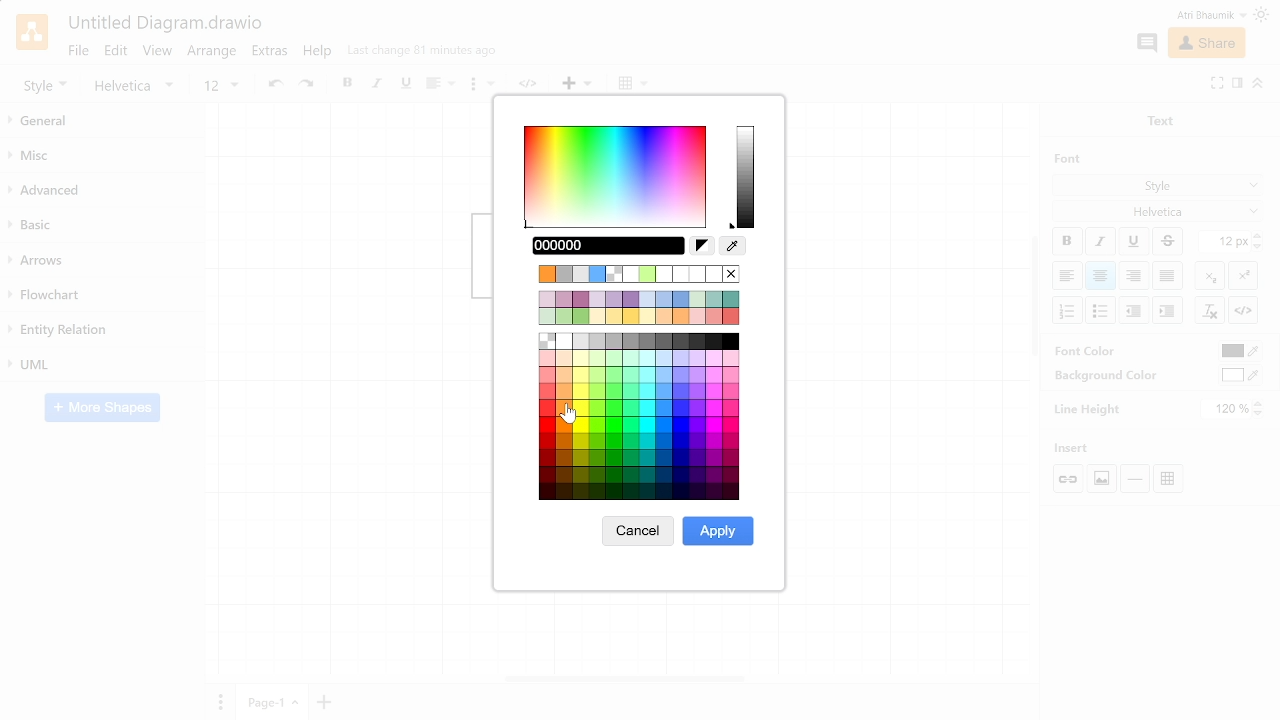 The image size is (1280, 720). I want to click on UML, so click(102, 363).